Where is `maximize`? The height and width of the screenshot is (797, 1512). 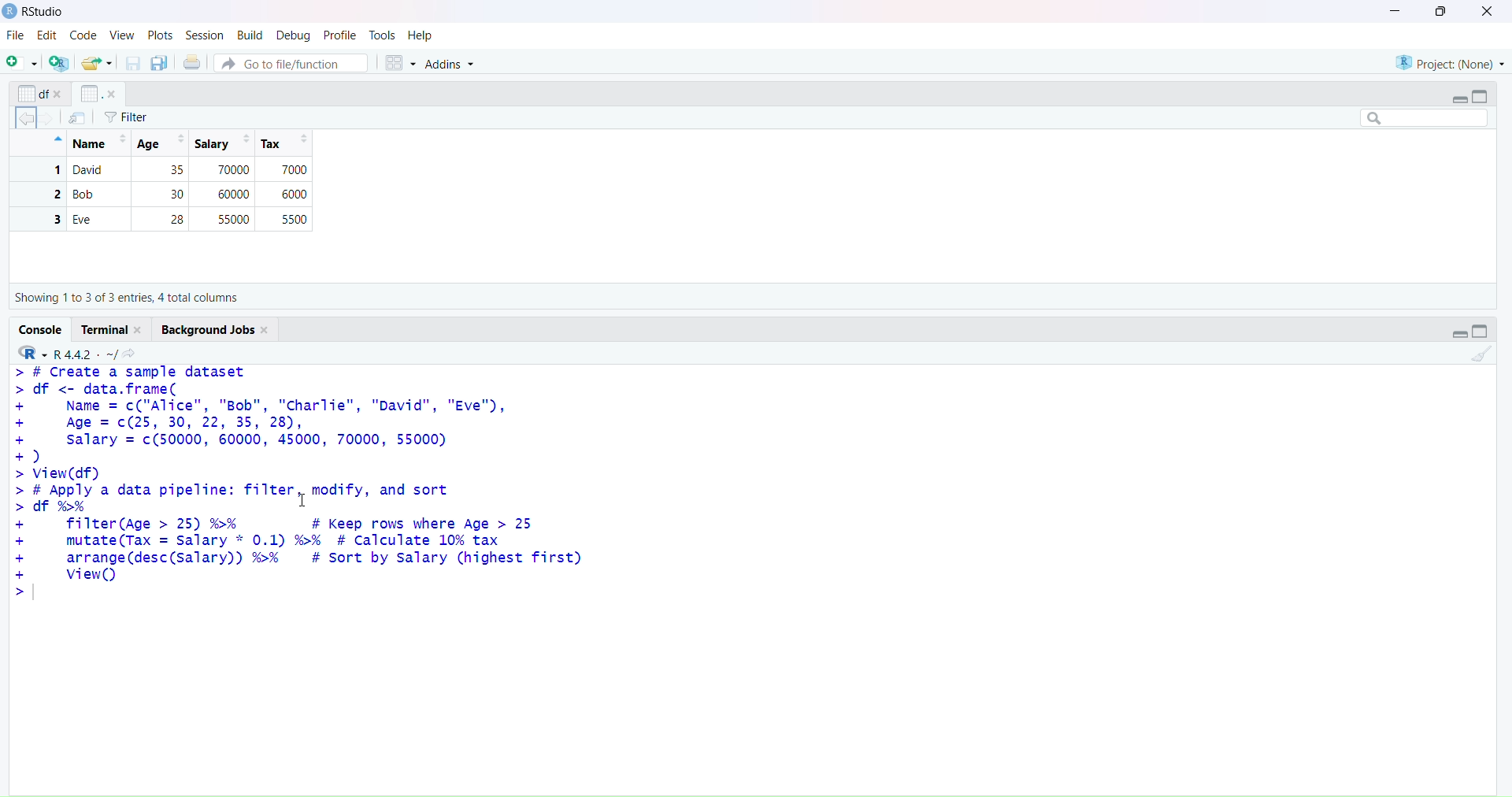 maximize is located at coordinates (1447, 12).